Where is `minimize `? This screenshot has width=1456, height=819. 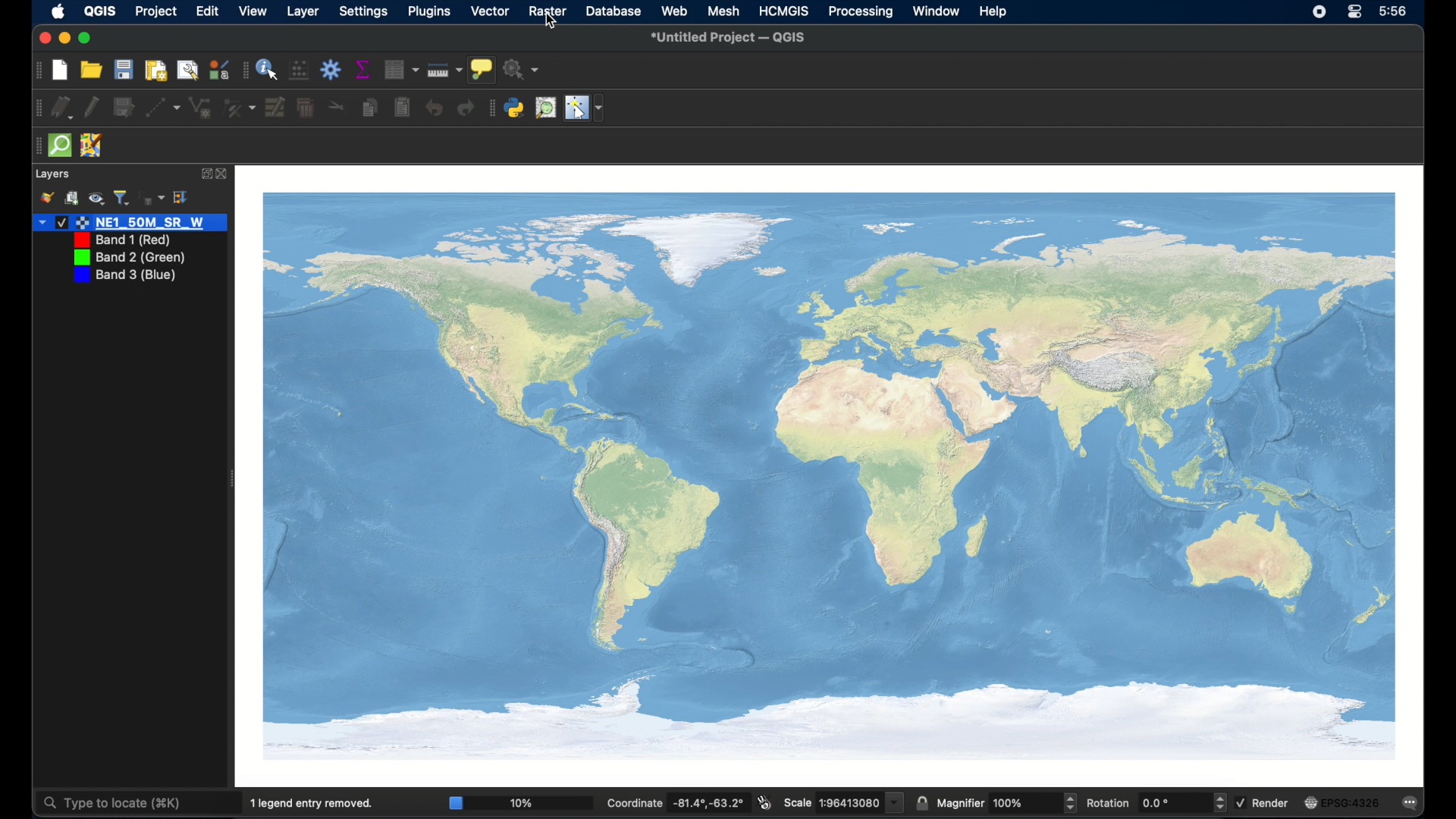
minimize  is located at coordinates (61, 39).